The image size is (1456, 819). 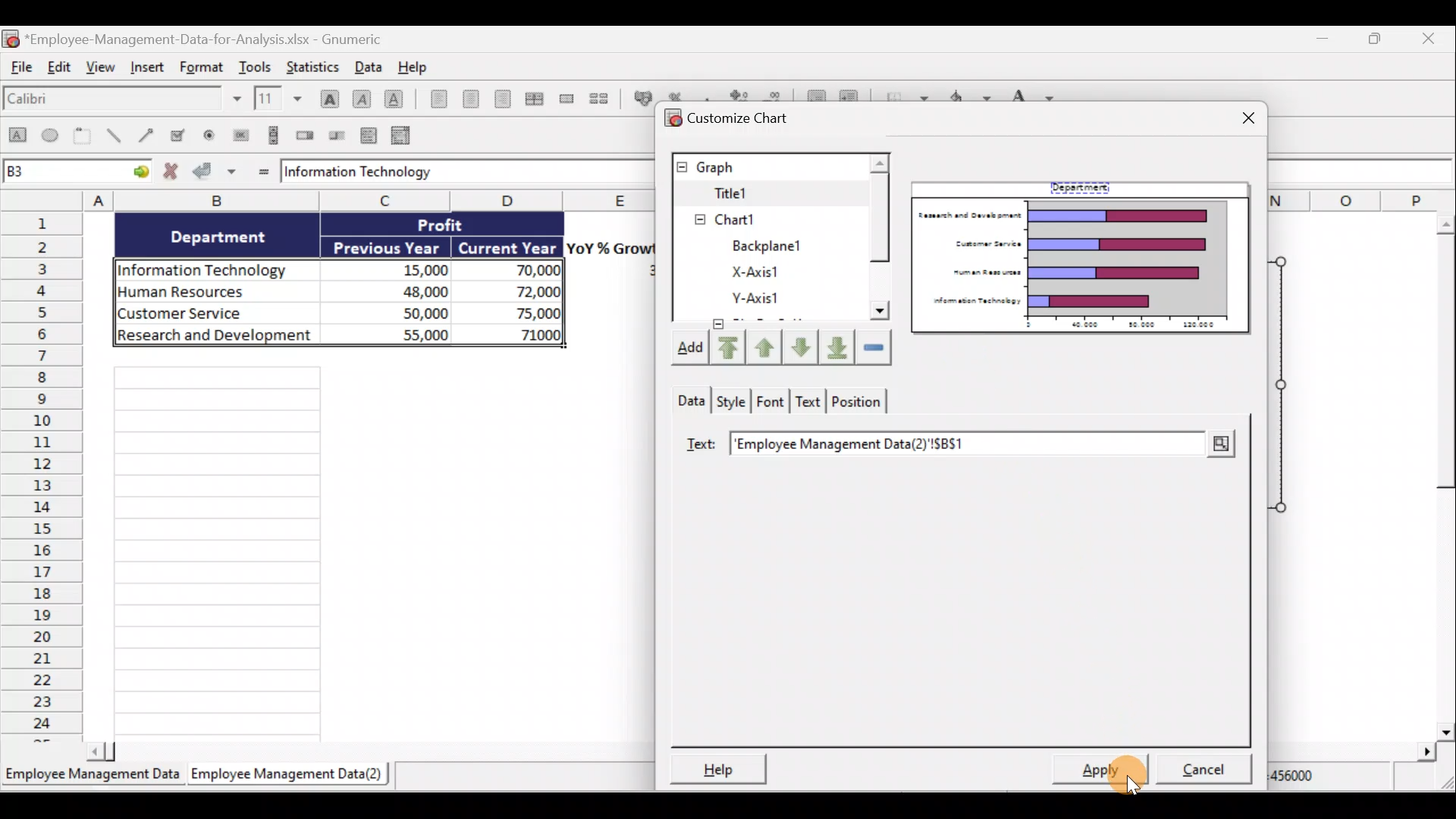 What do you see at coordinates (453, 227) in the screenshot?
I see `Profit` at bounding box center [453, 227].